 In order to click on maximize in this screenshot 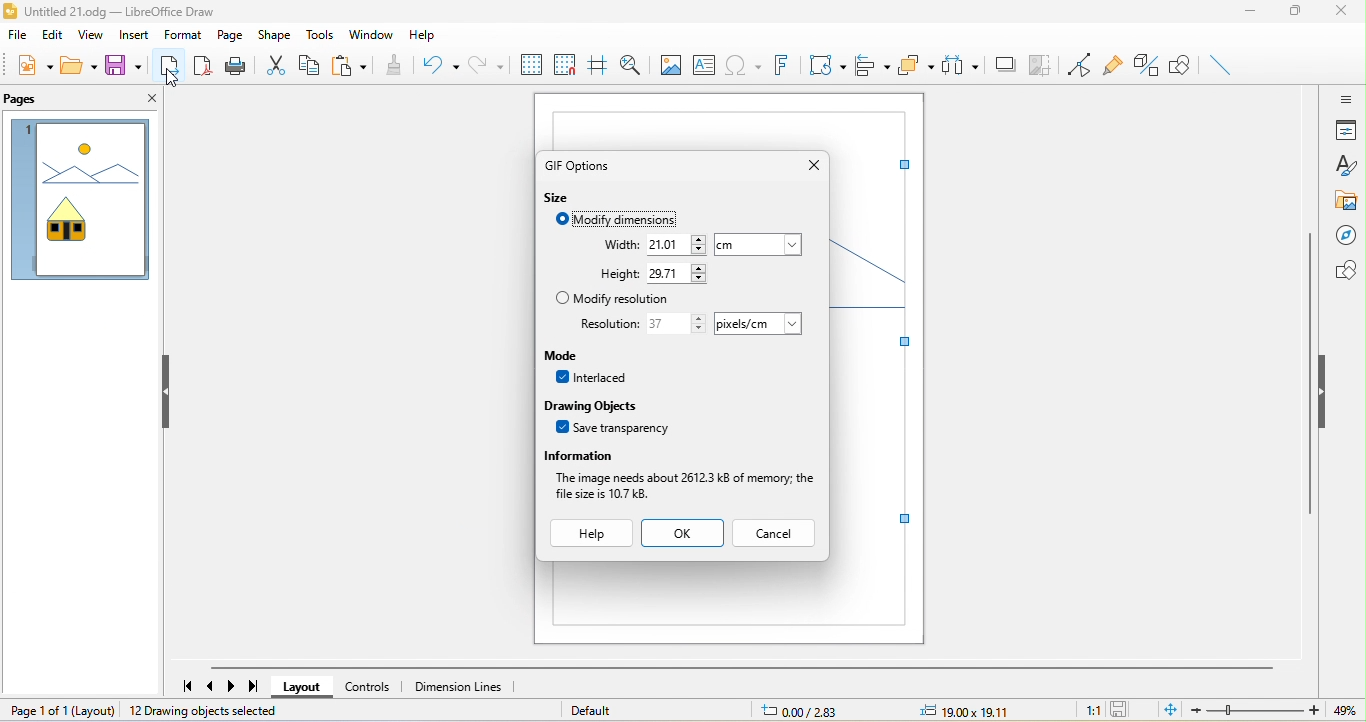, I will do `click(1293, 15)`.